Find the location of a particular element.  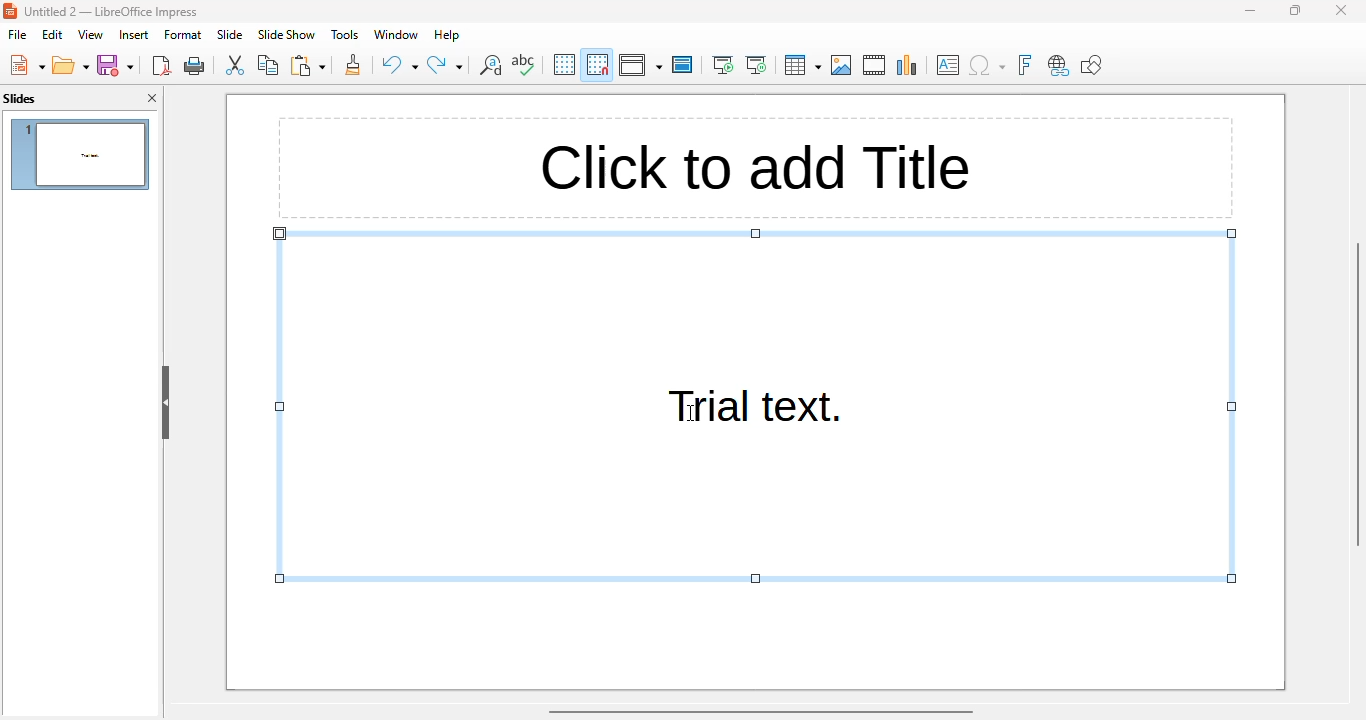

table is located at coordinates (802, 64).